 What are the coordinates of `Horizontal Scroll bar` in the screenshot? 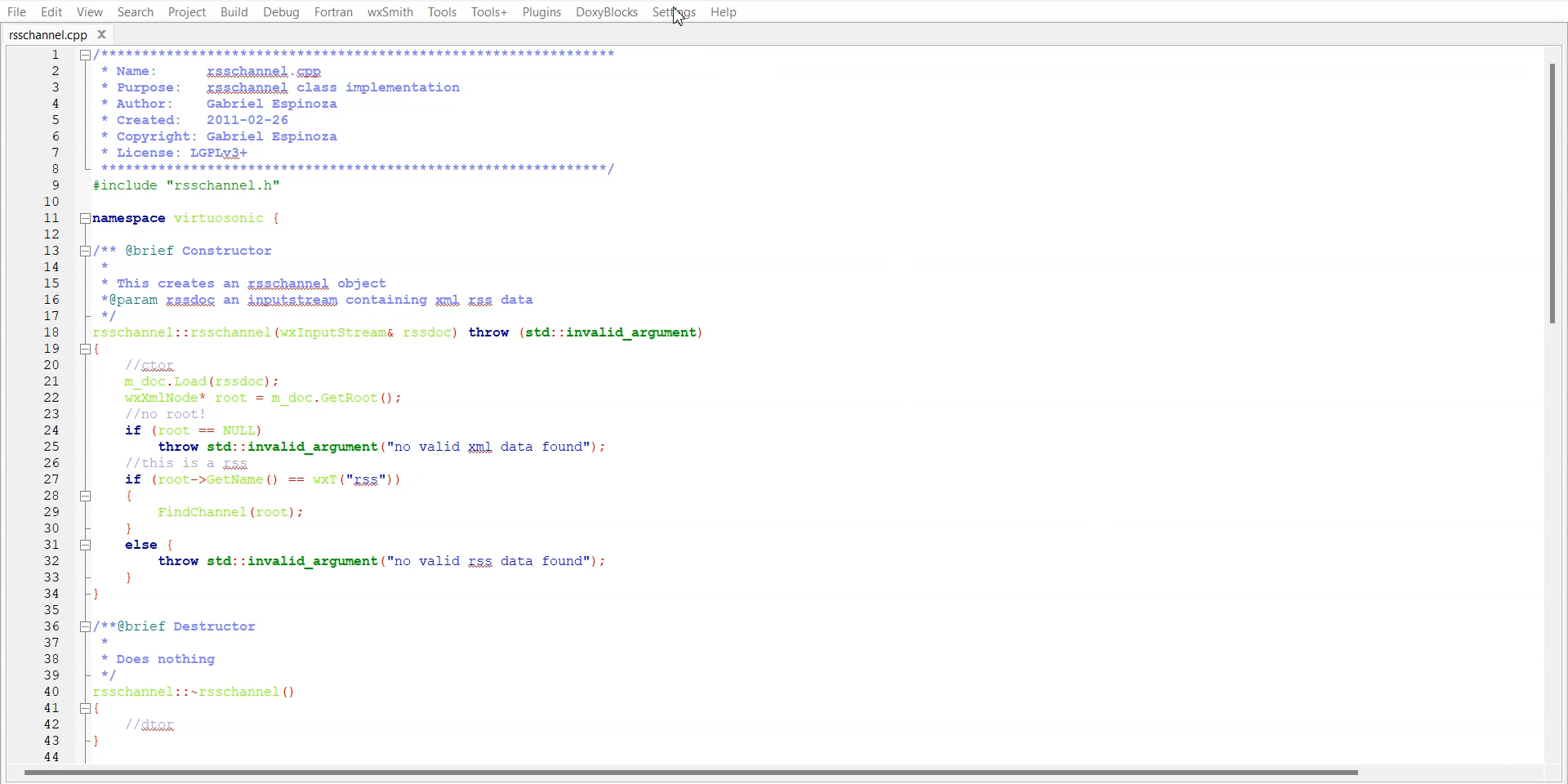 It's located at (694, 775).